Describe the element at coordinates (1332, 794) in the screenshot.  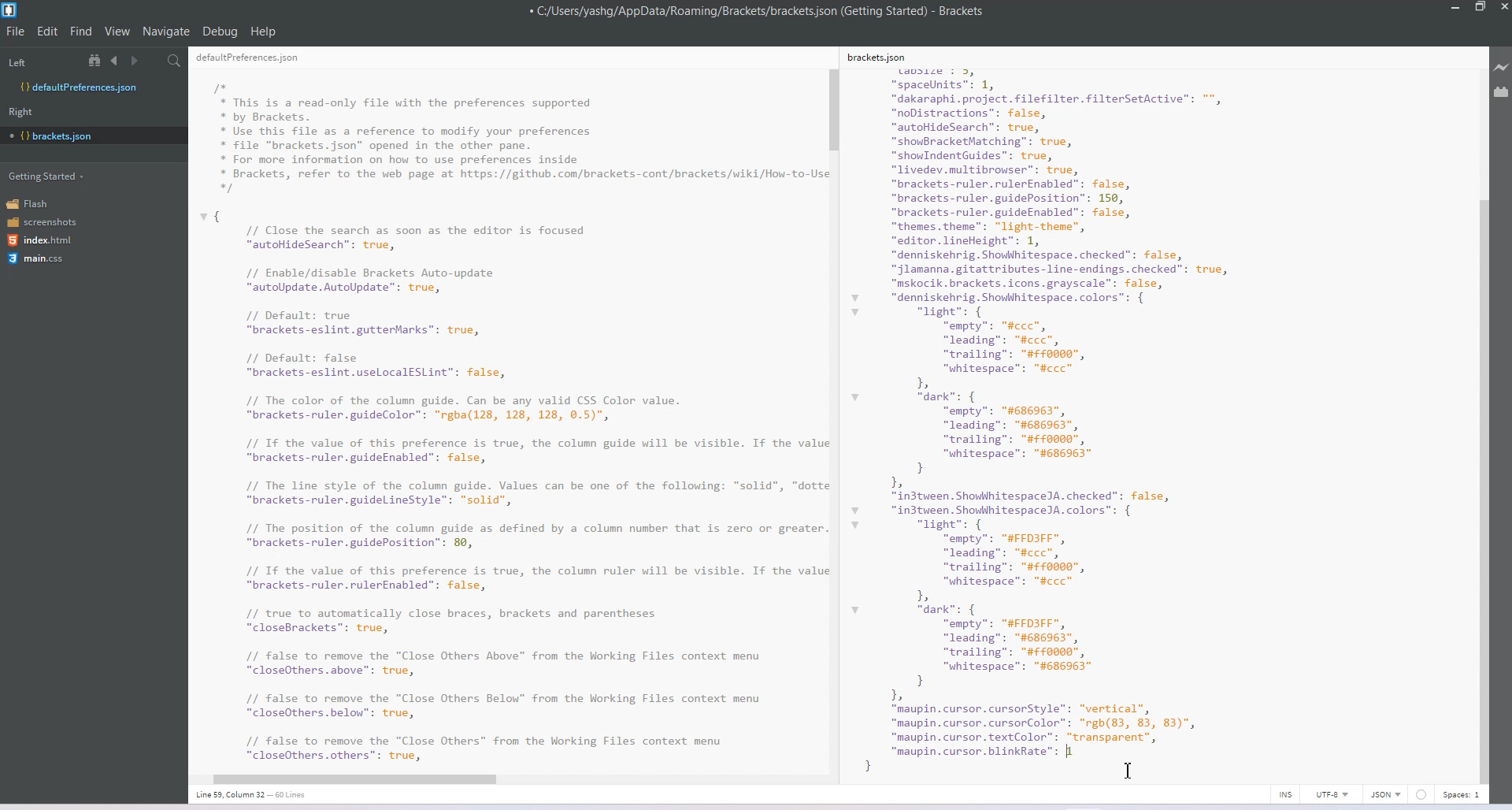
I see `UTF-8` at that location.